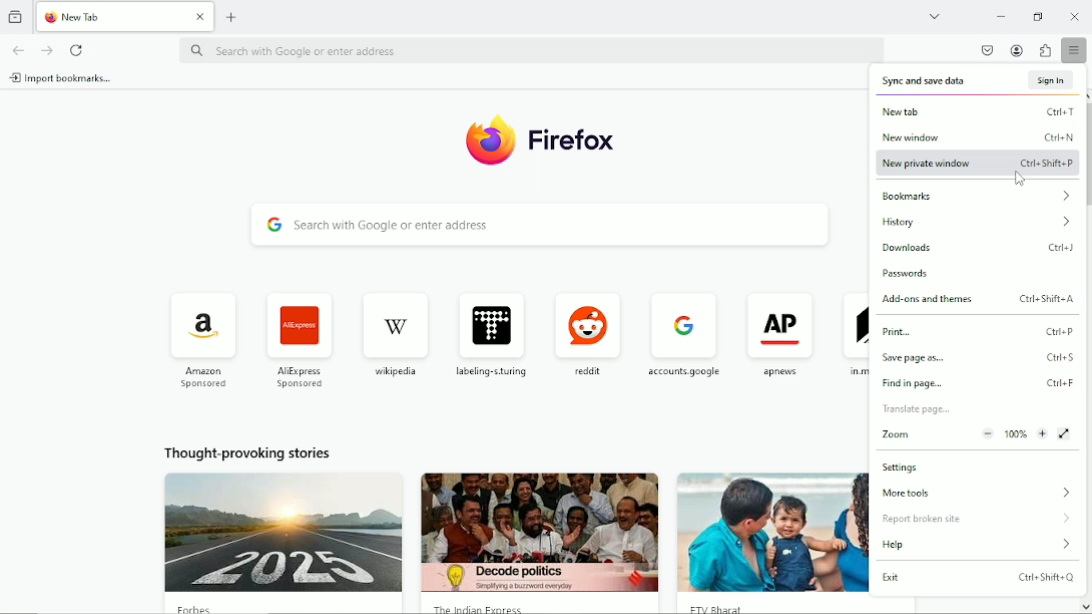 This screenshot has height=614, width=1092. I want to click on passwords, so click(904, 273).